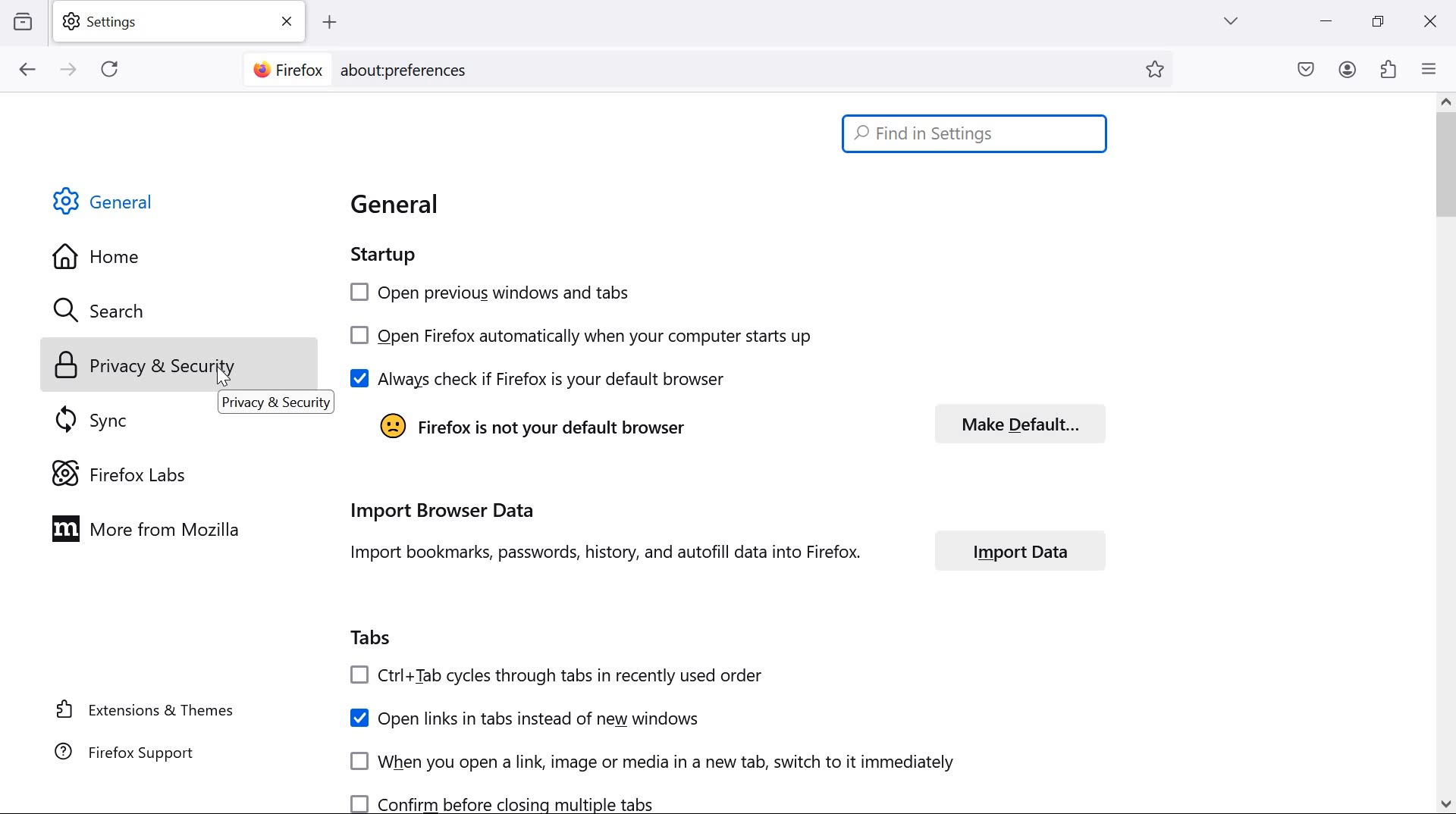 This screenshot has width=1456, height=814. What do you see at coordinates (1432, 68) in the screenshot?
I see `open application menu` at bounding box center [1432, 68].